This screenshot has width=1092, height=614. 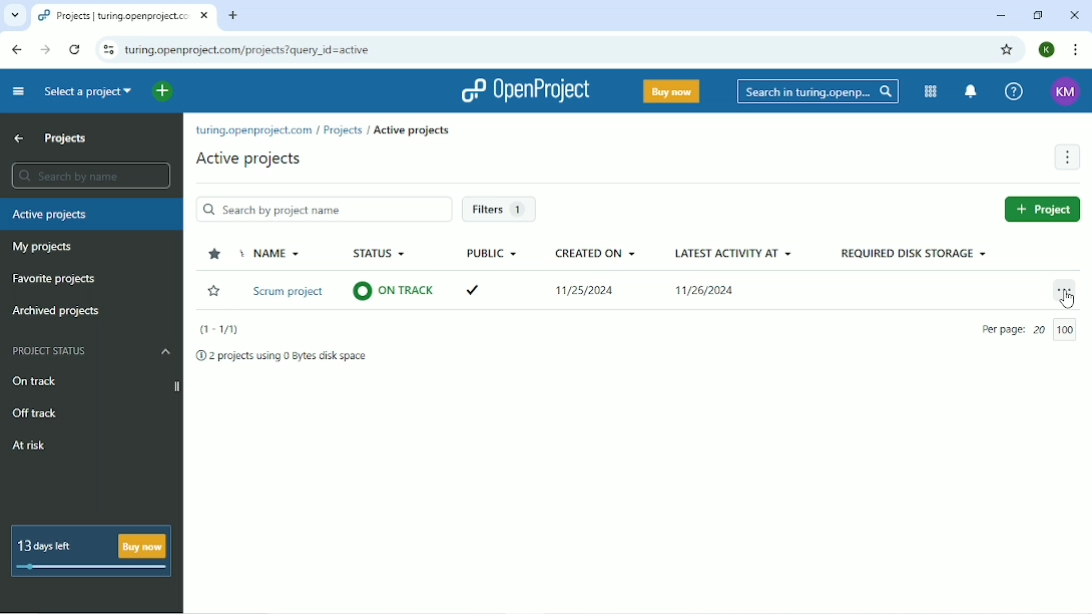 I want to click on Search by project name, so click(x=323, y=209).